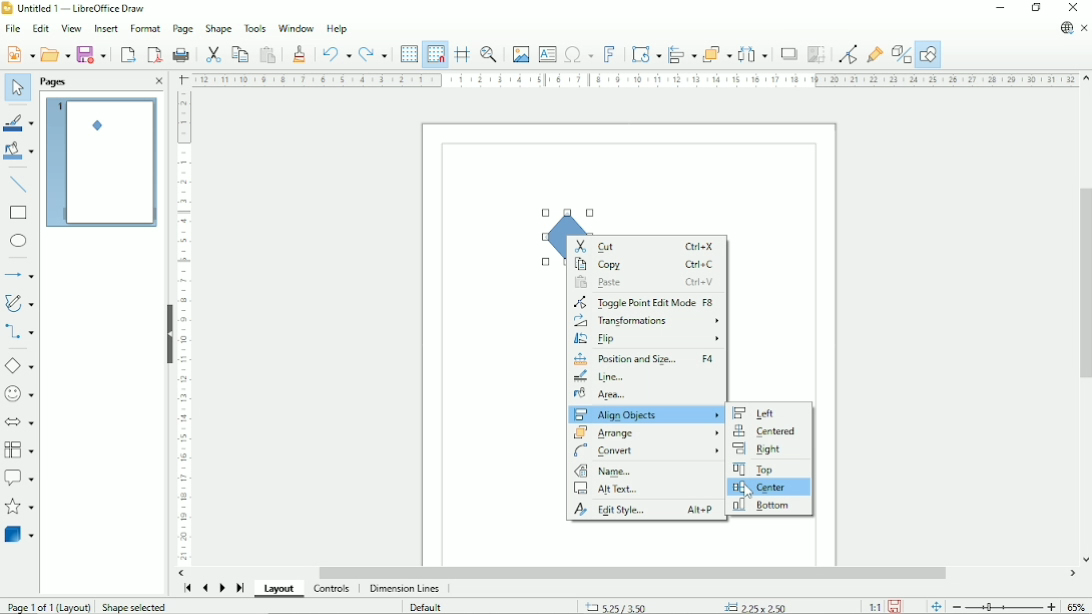 This screenshot has width=1092, height=614. I want to click on Pages, so click(55, 82).